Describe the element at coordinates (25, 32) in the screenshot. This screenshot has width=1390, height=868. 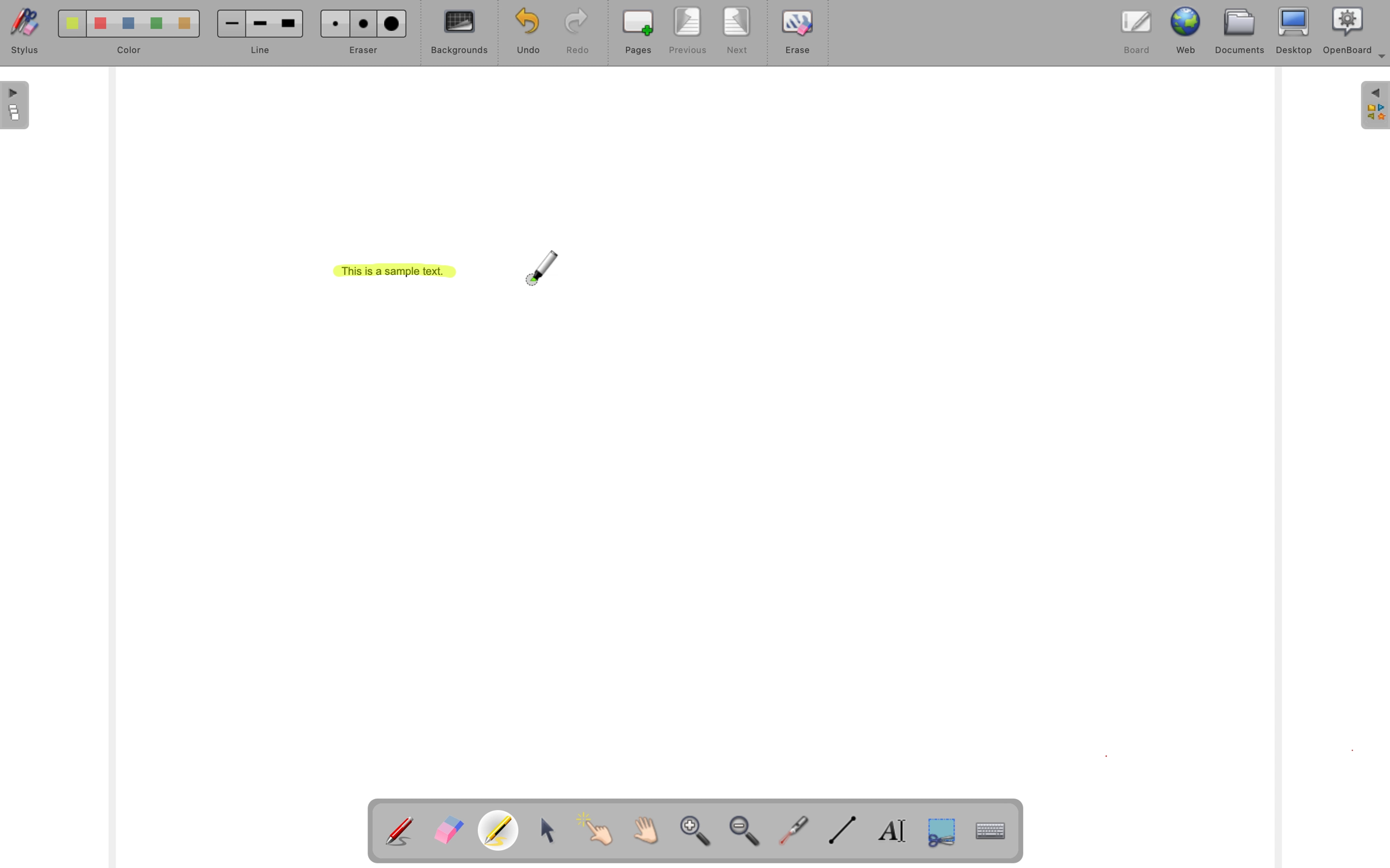
I see `stylus` at that location.